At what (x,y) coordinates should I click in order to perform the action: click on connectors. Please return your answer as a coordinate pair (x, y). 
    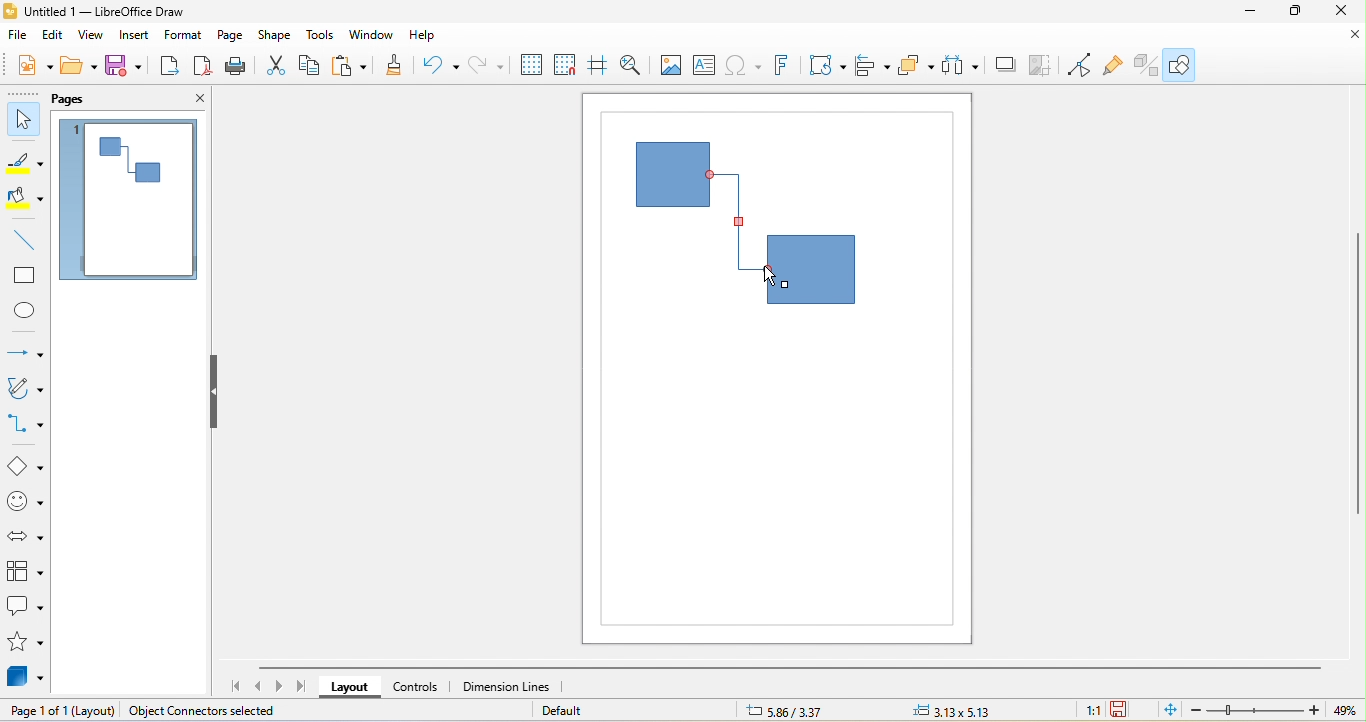
    Looking at the image, I should click on (26, 427).